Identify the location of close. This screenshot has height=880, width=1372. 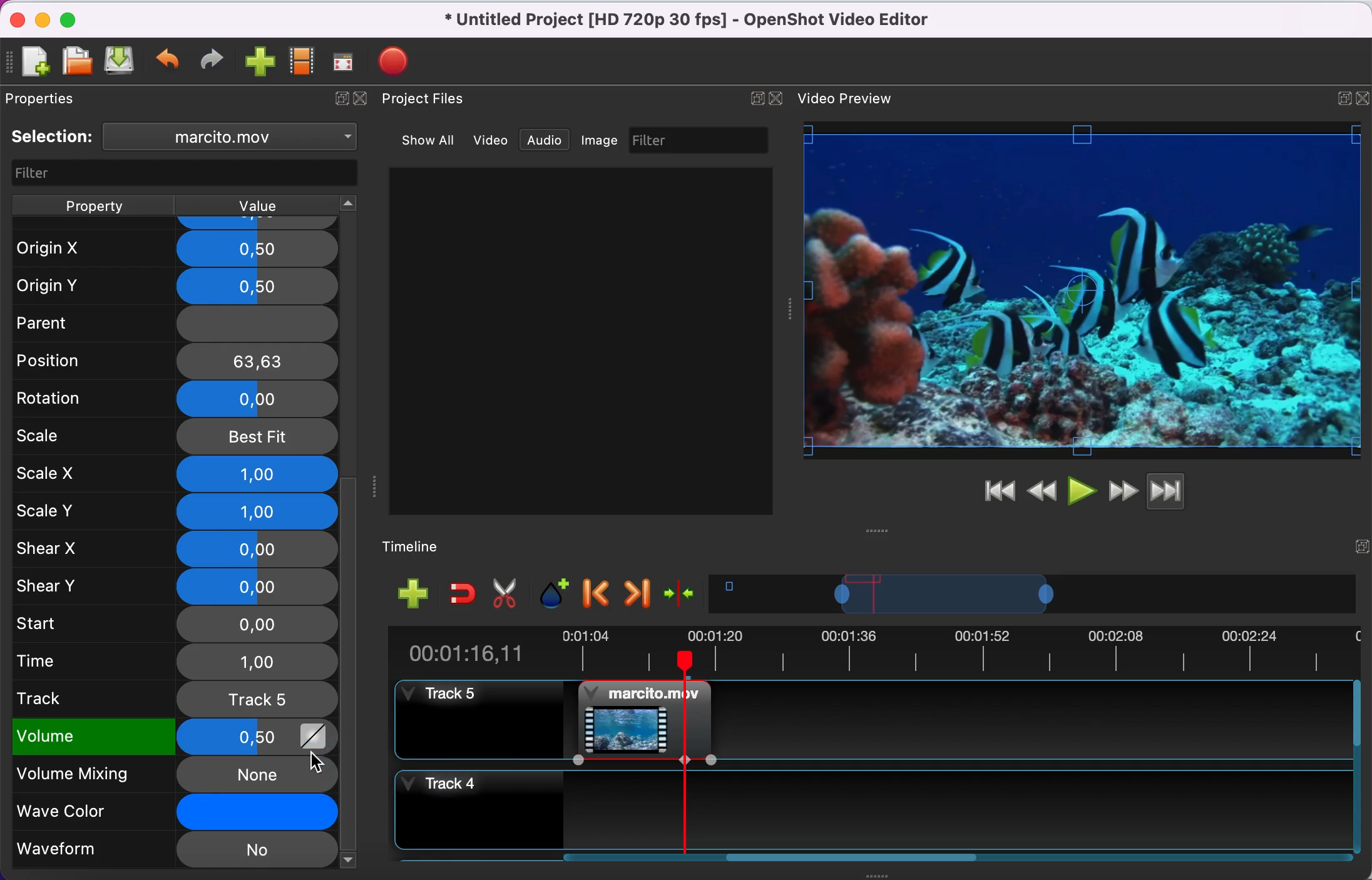
(14, 18).